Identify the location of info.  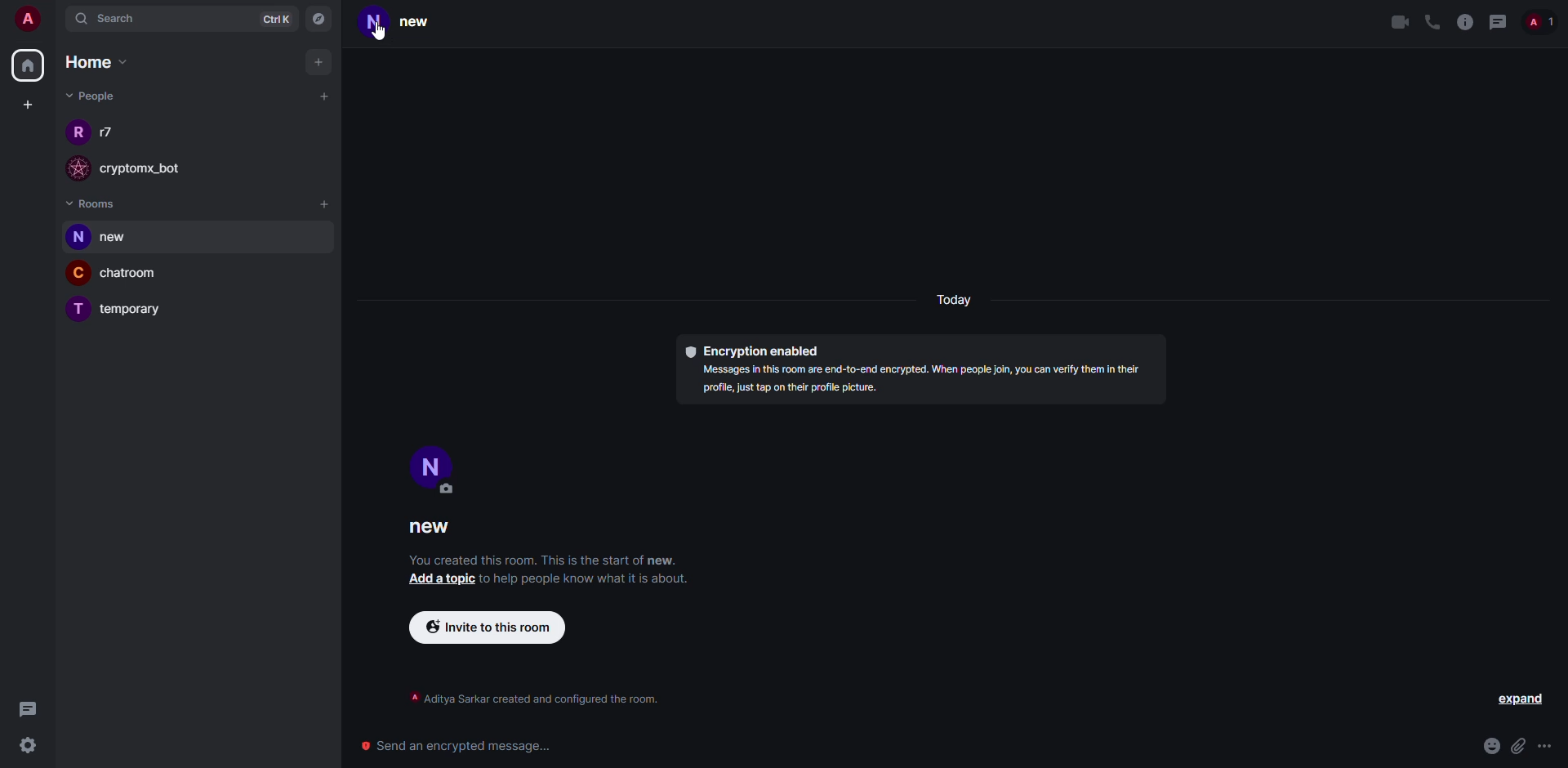
(544, 560).